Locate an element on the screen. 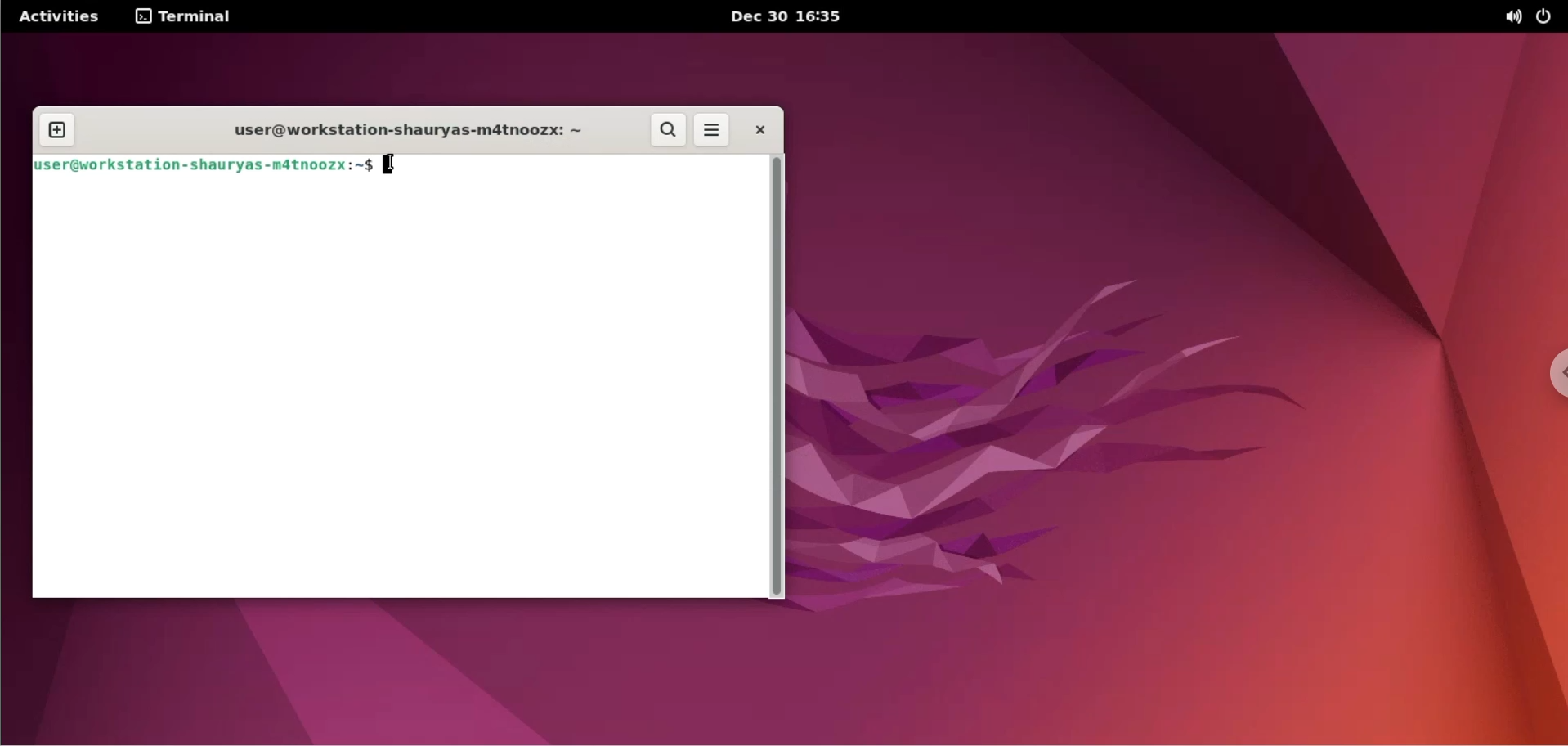 Image resolution: width=1568 pixels, height=746 pixels. user@workstation-shauryas-m4tnoozx: ~ is located at coordinates (407, 131).